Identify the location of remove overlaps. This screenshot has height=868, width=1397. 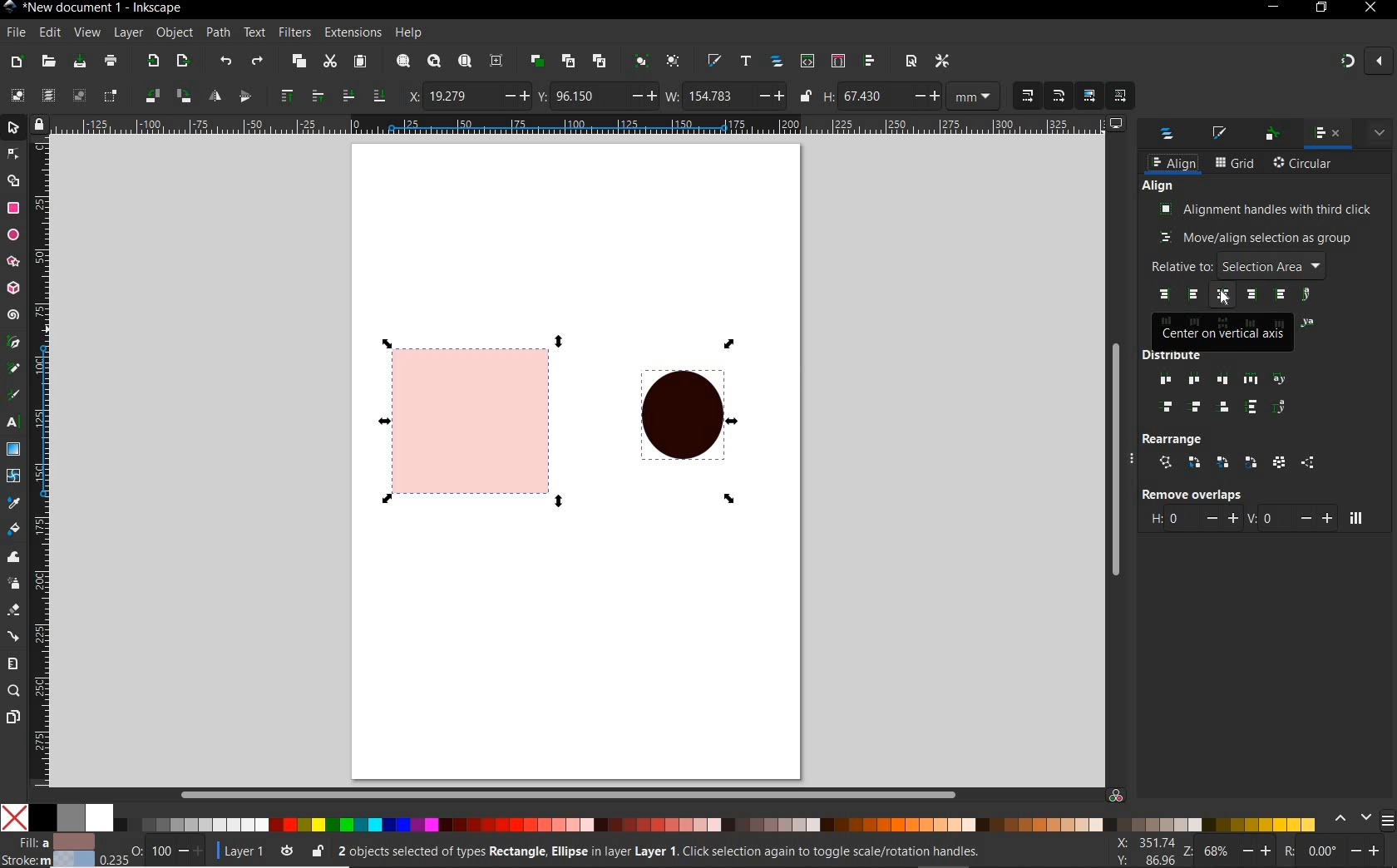
(1191, 494).